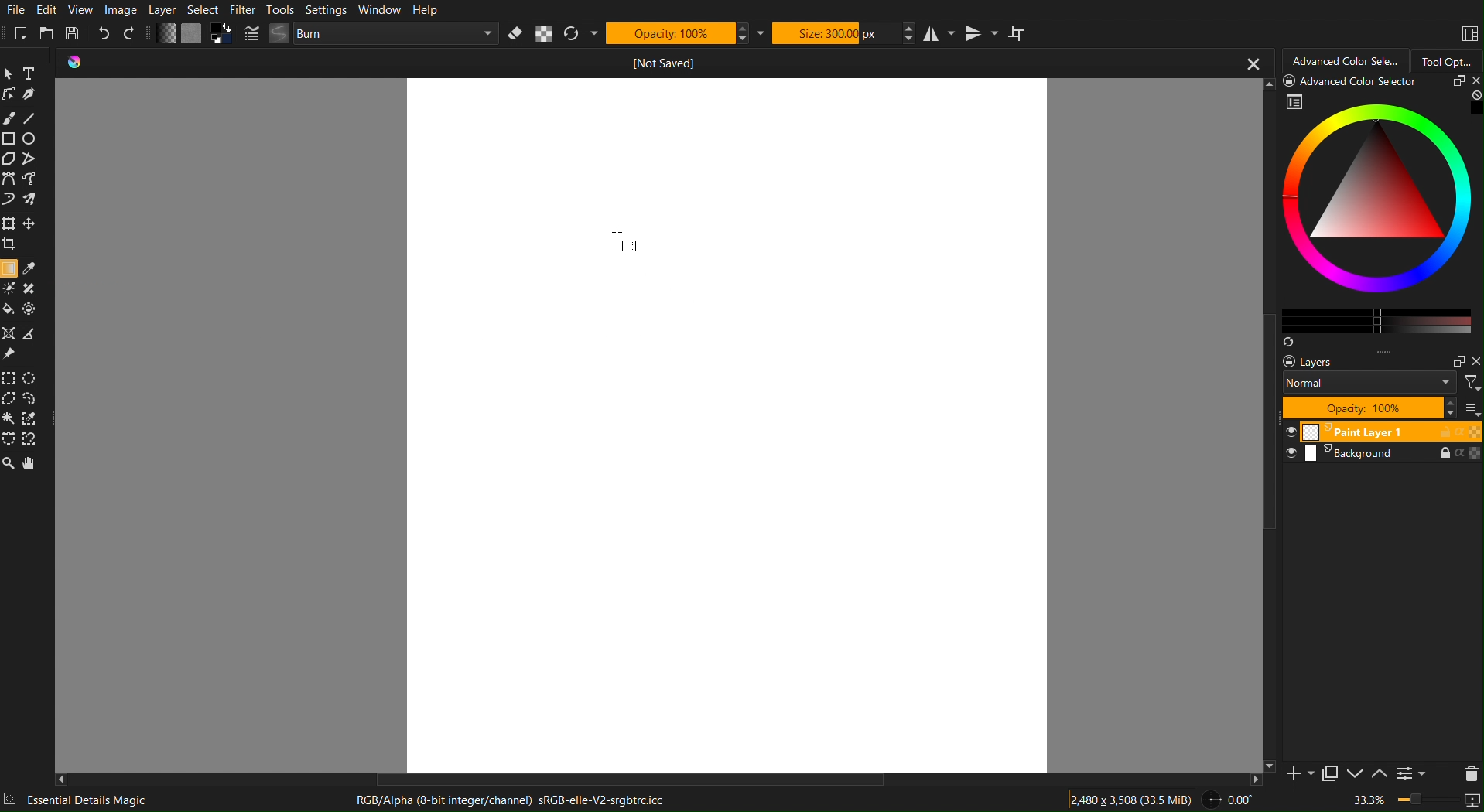  What do you see at coordinates (1380, 210) in the screenshot?
I see `Advanced Color Selector` at bounding box center [1380, 210].